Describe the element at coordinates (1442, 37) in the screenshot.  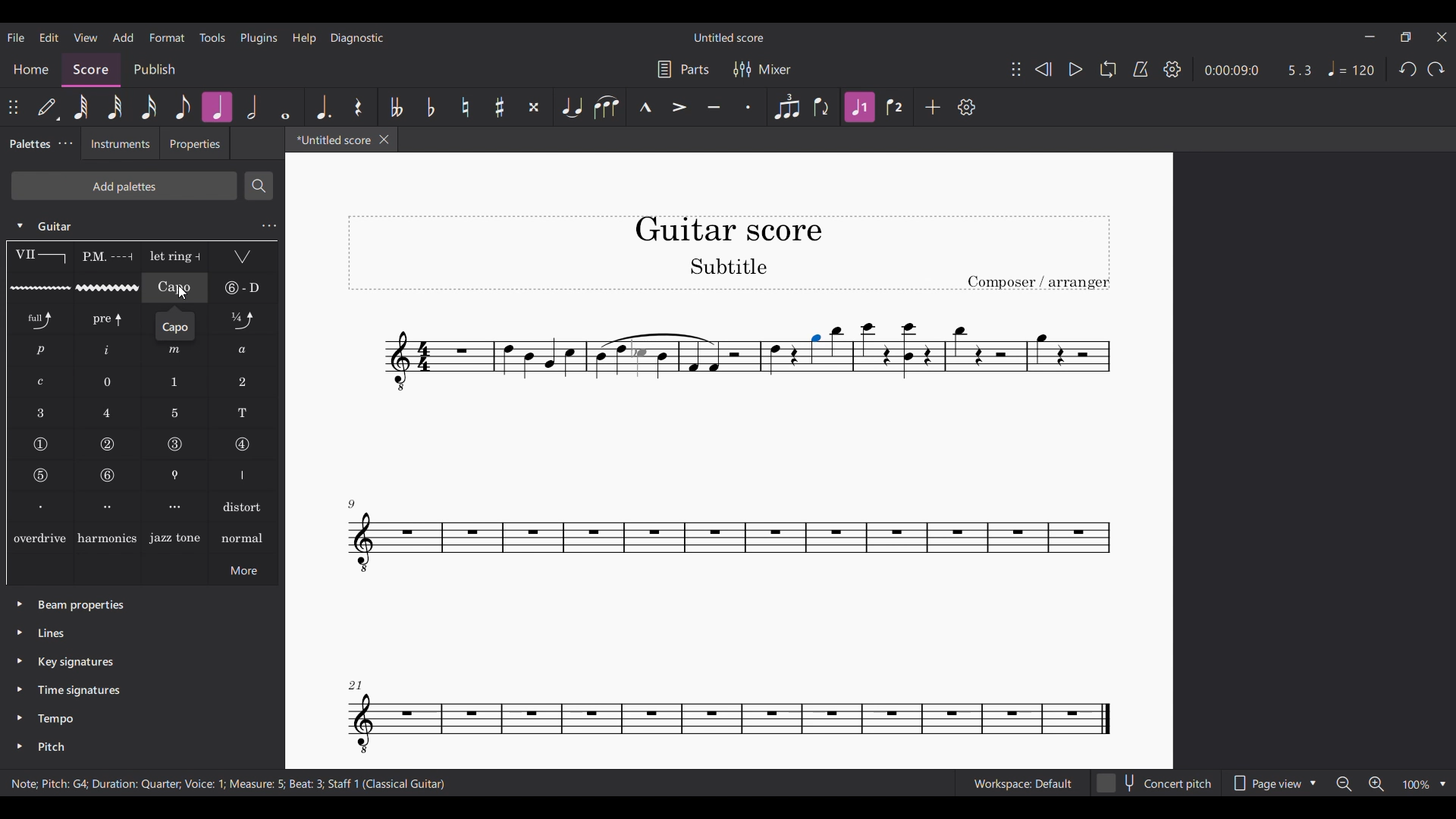
I see `Close interface` at that location.